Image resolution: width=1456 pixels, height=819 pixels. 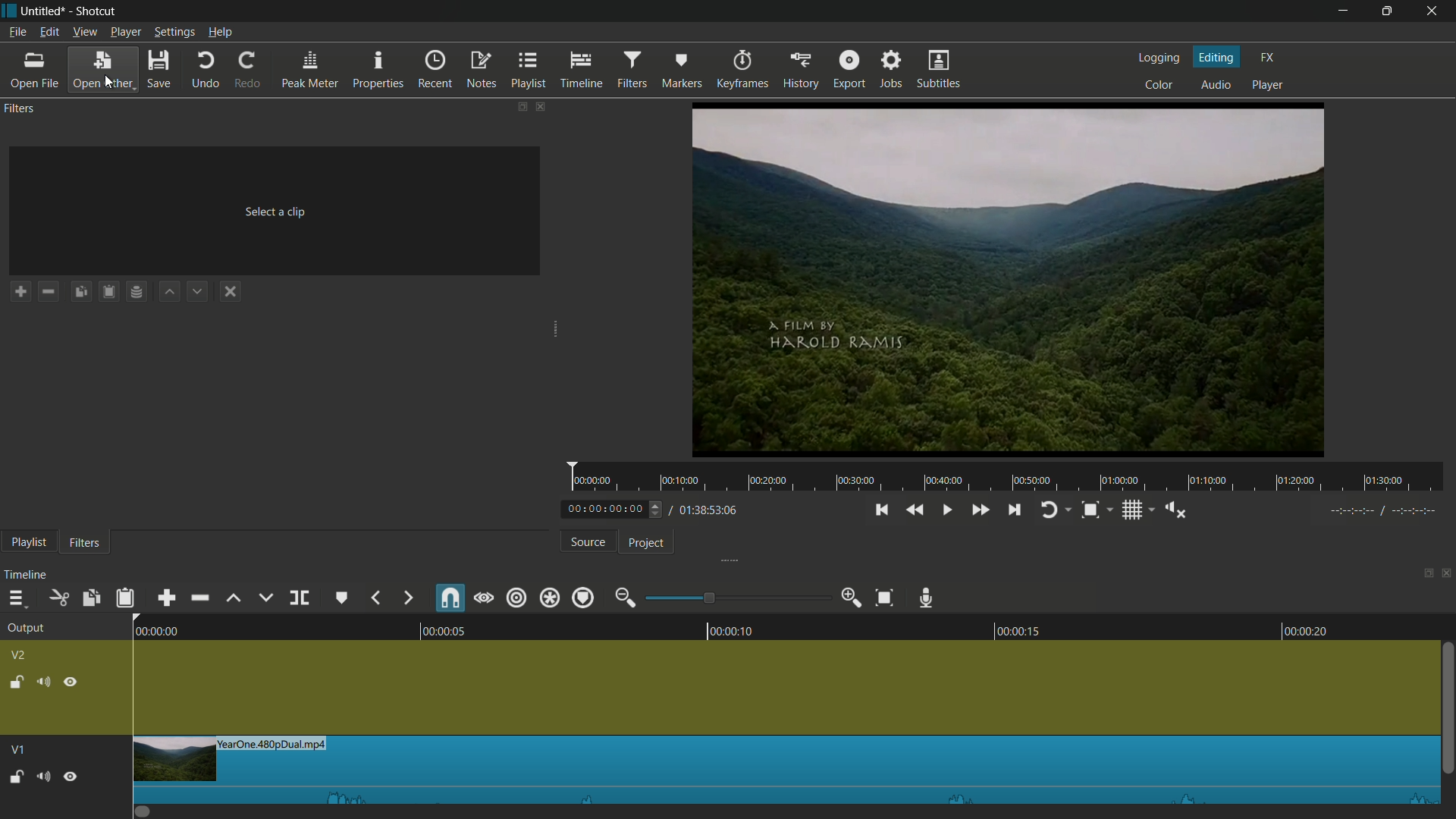 What do you see at coordinates (27, 576) in the screenshot?
I see `timeline` at bounding box center [27, 576].